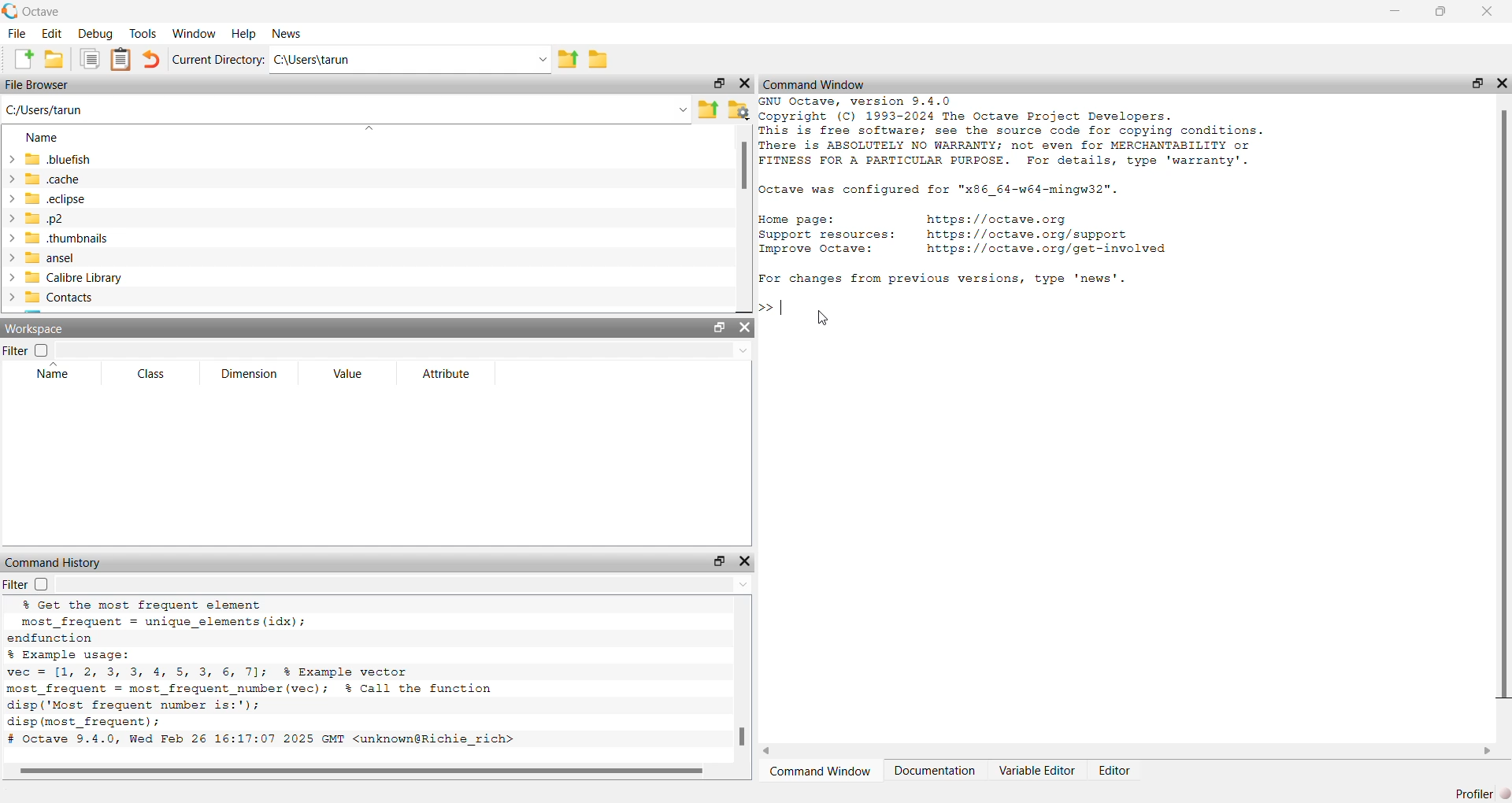 The height and width of the screenshot is (803, 1512). Describe the element at coordinates (54, 58) in the screenshot. I see `Open an existing file in editor` at that location.